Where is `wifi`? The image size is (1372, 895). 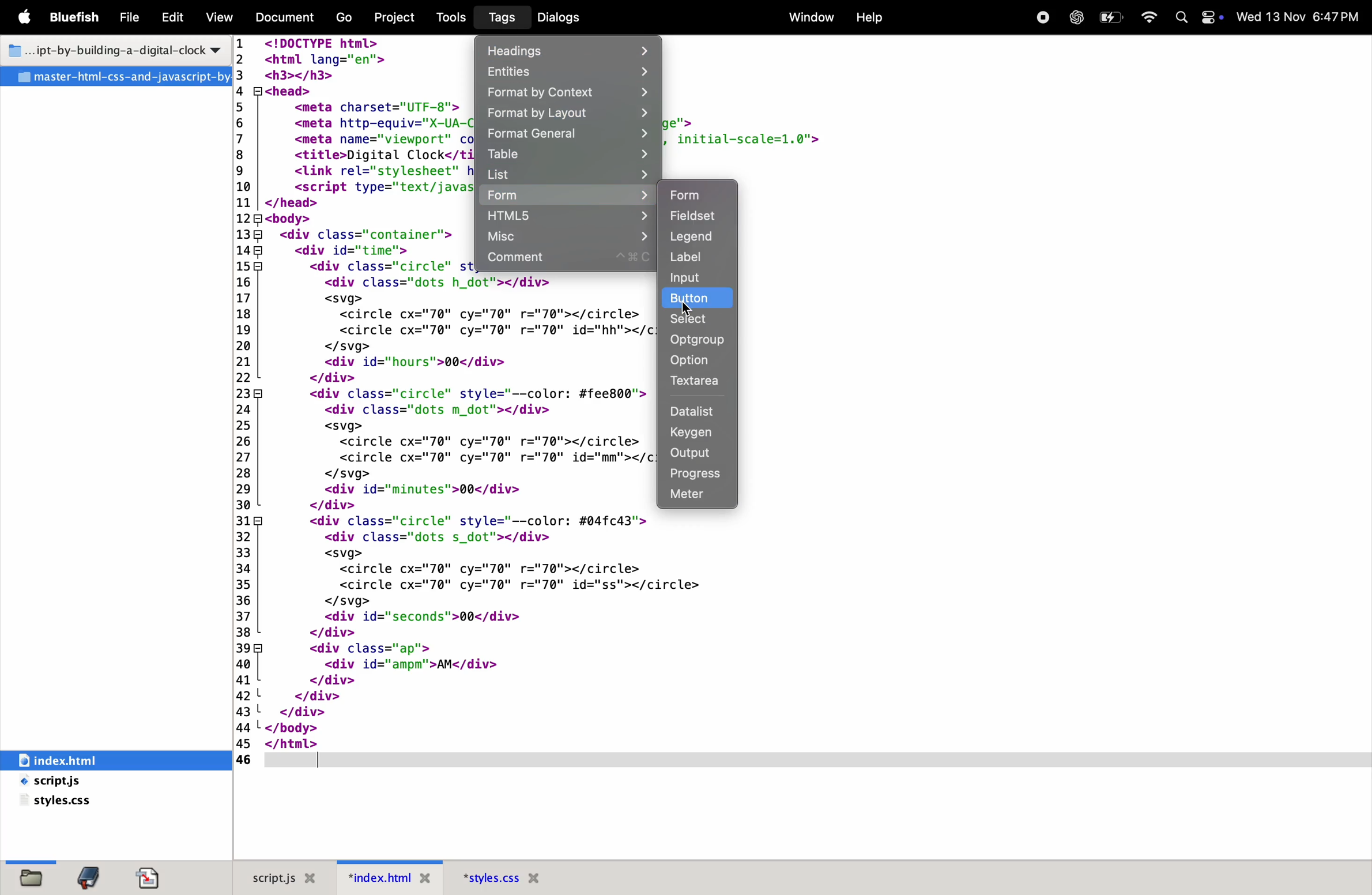 wifi is located at coordinates (1153, 14).